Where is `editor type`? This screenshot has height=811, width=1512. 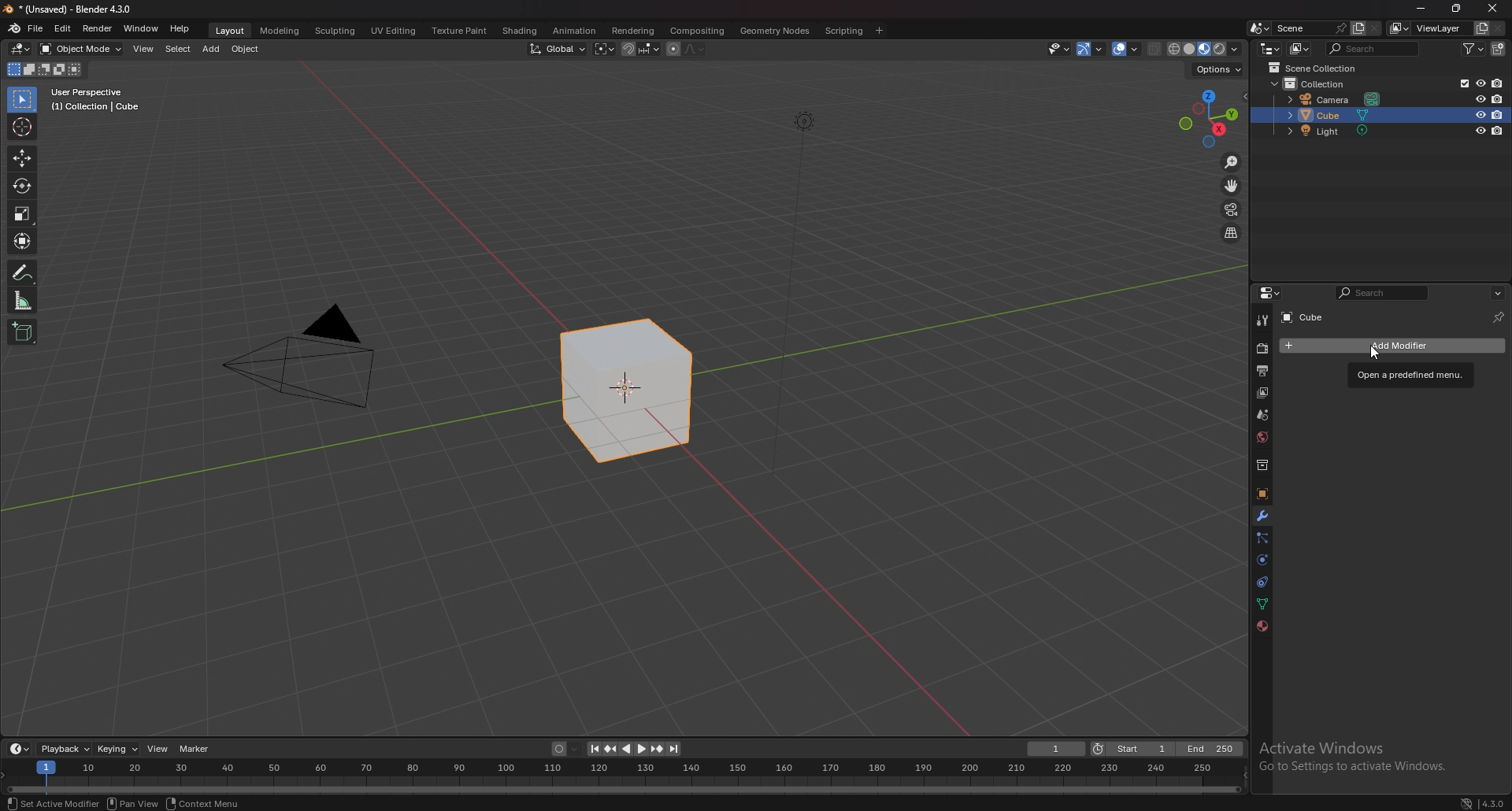 editor type is located at coordinates (1269, 49).